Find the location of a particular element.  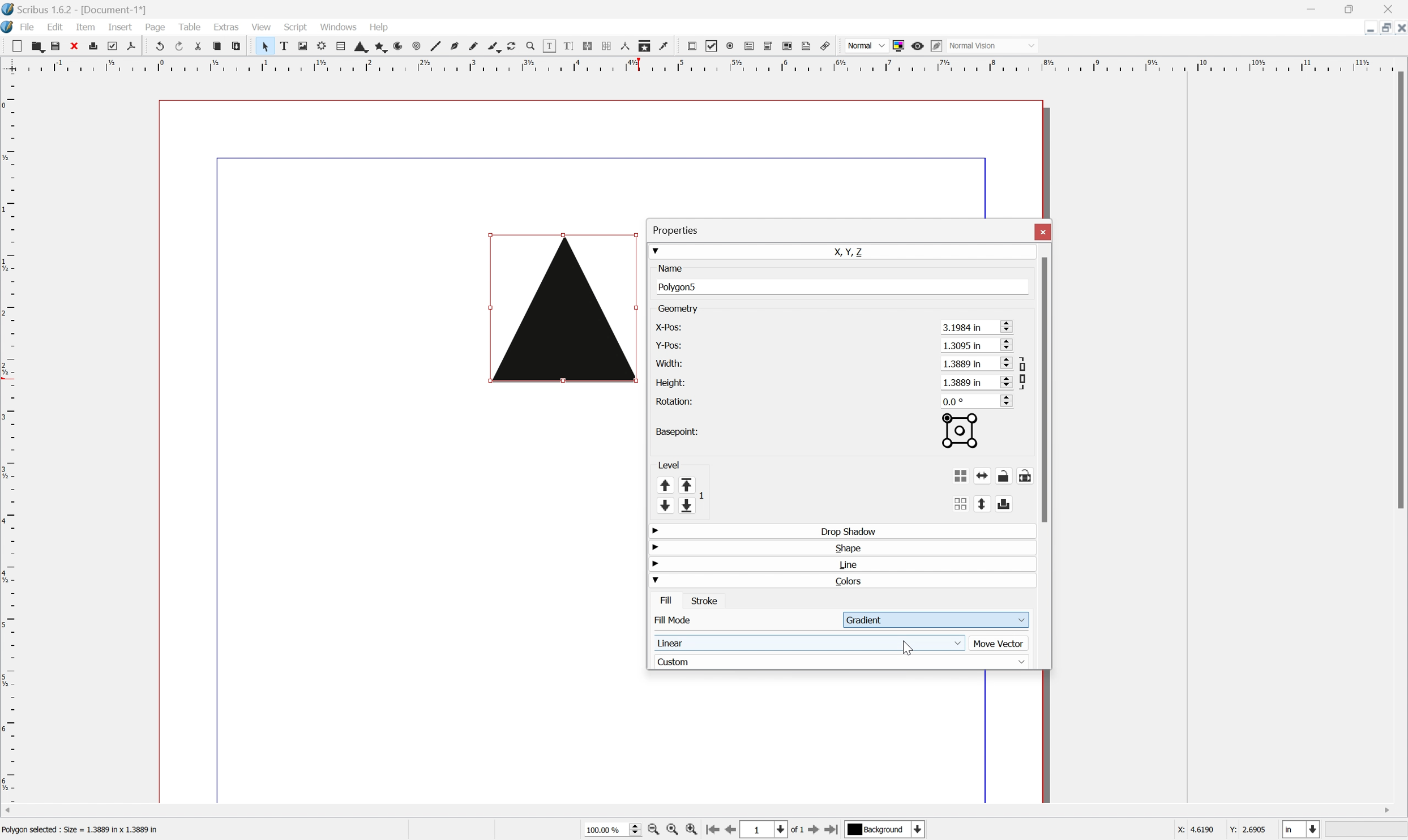

Properties is located at coordinates (676, 230).